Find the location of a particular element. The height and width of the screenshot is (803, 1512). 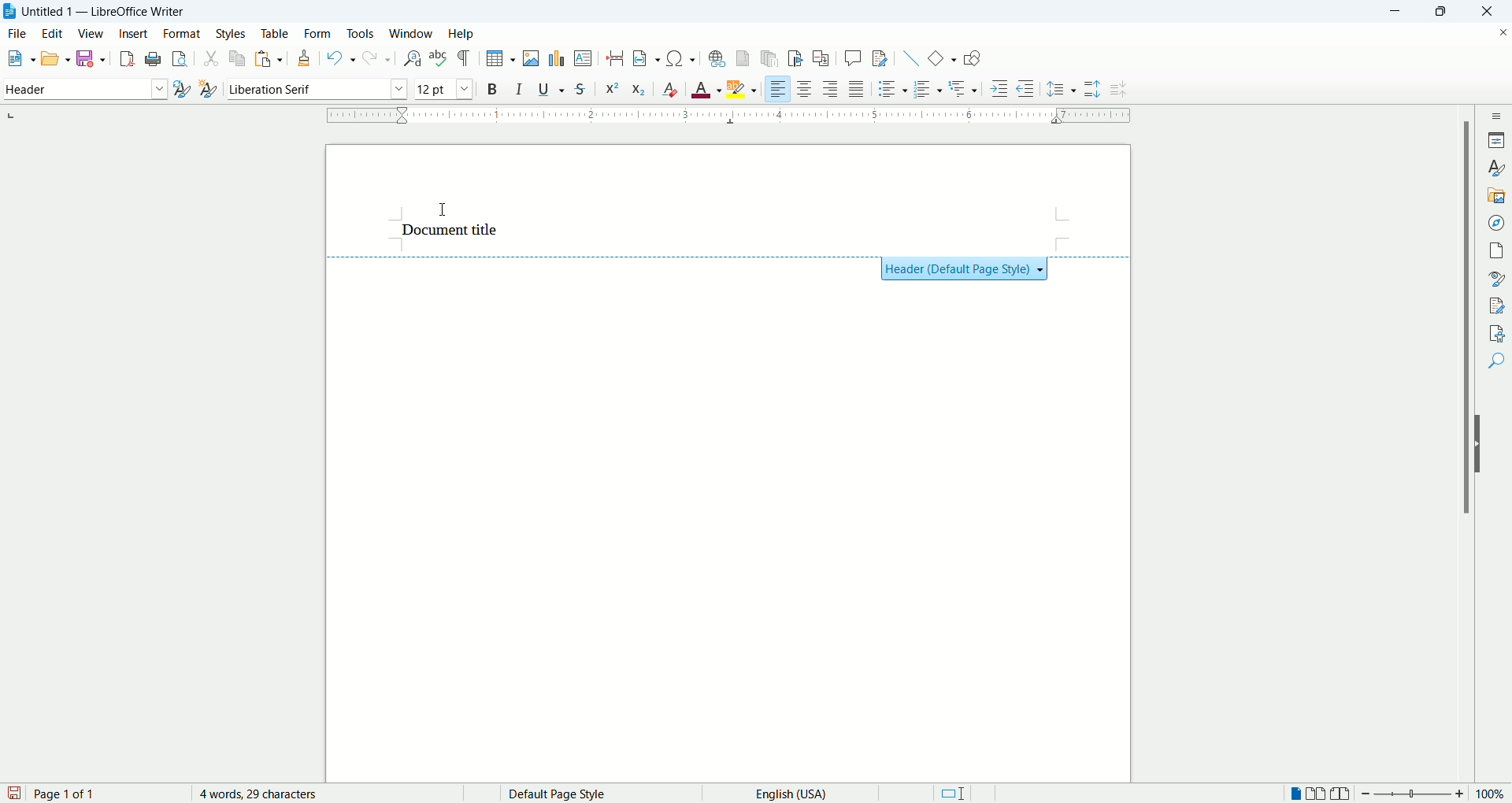

book view is located at coordinates (1340, 794).